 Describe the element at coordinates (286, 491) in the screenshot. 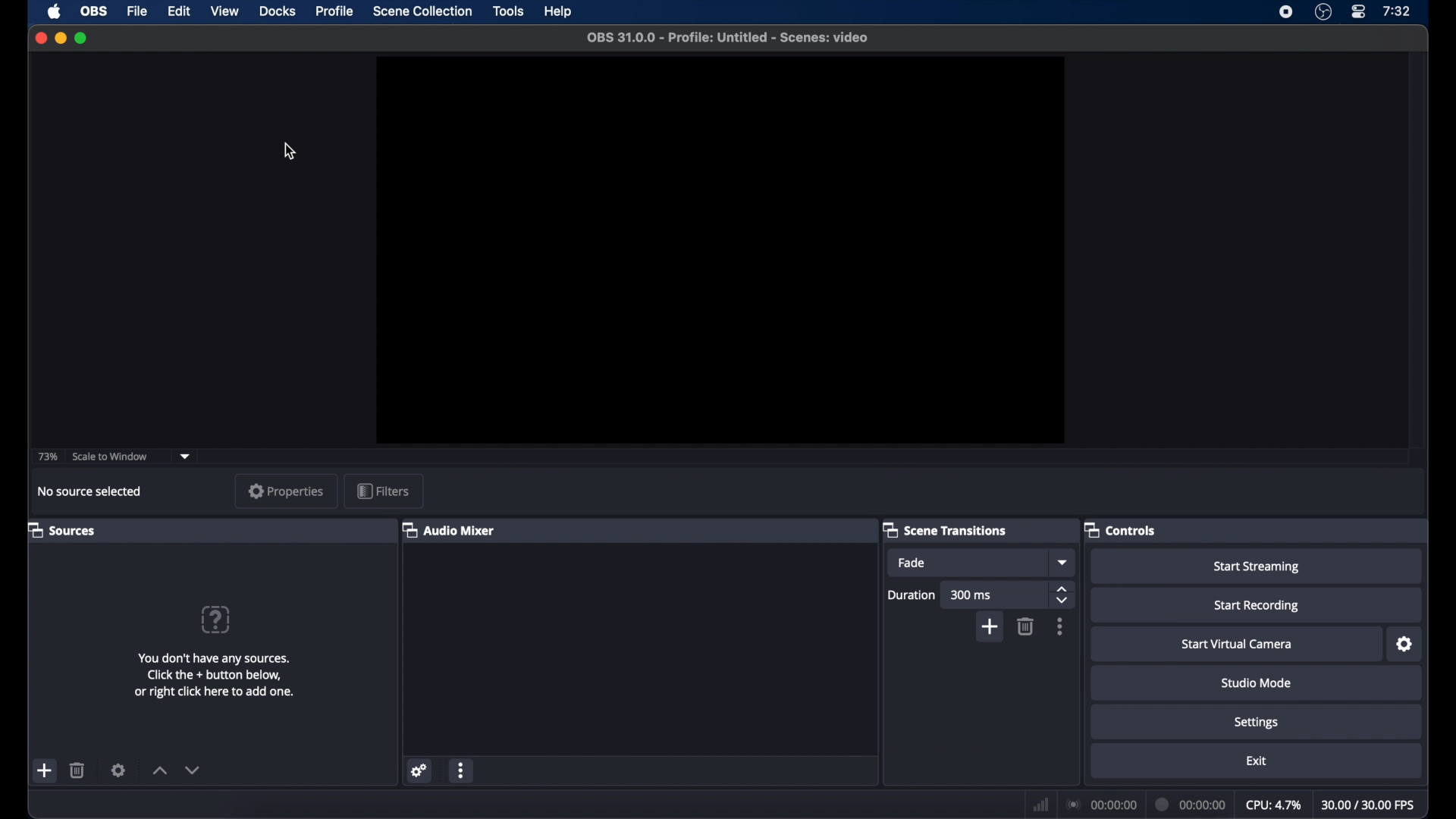

I see `properties` at that location.